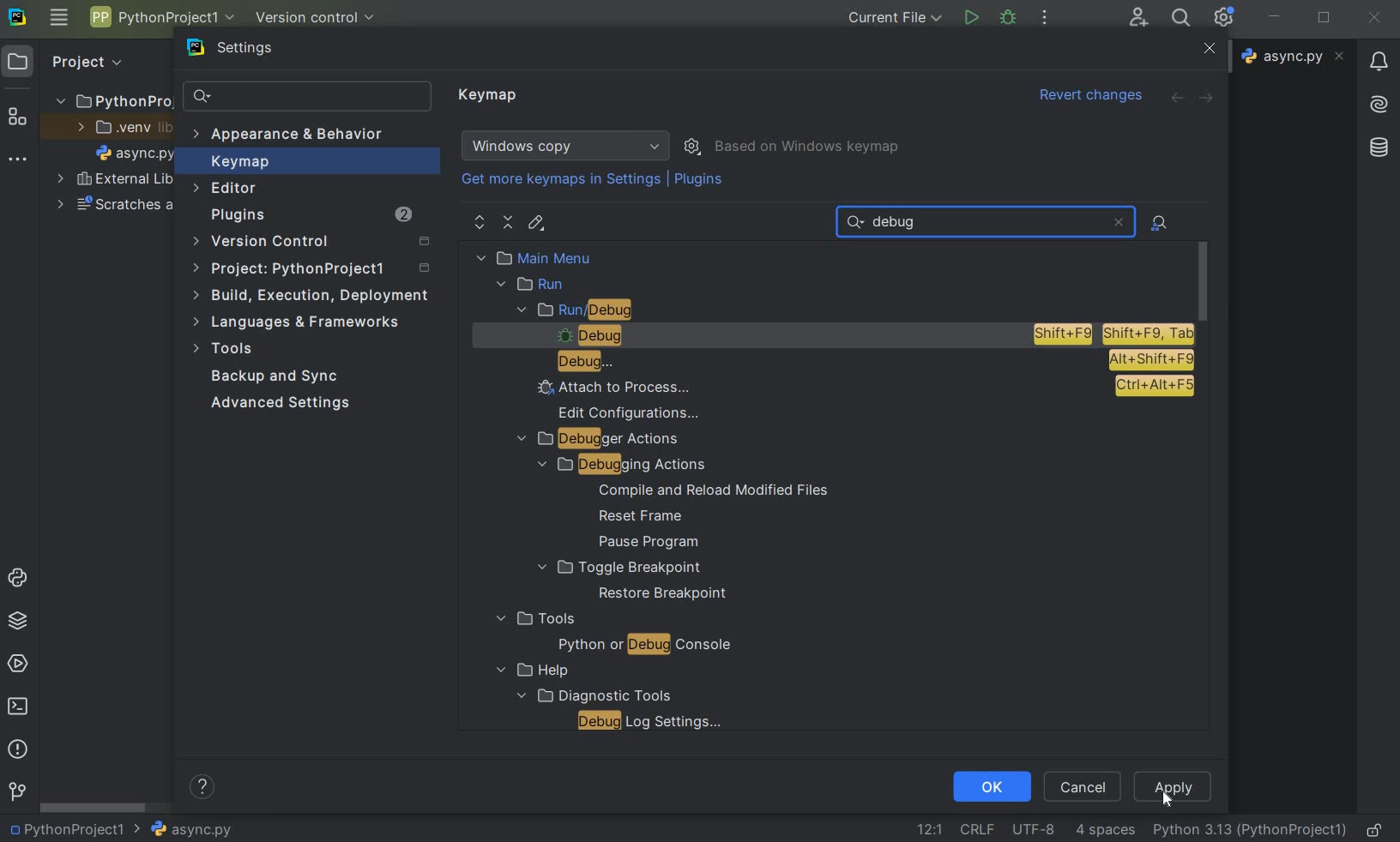 This screenshot has width=1400, height=842. I want to click on editor, so click(226, 188).